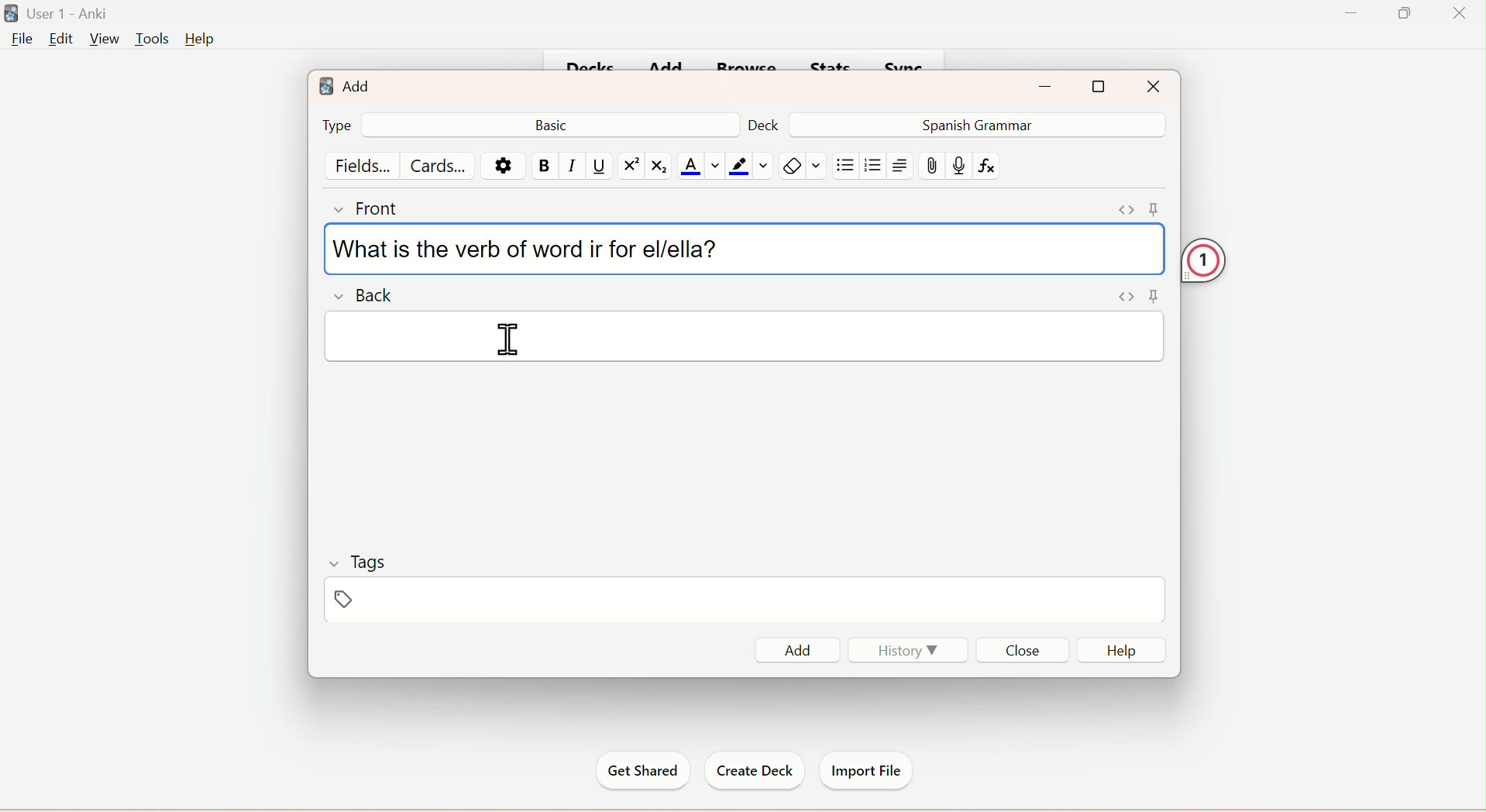 This screenshot has width=1486, height=812. Describe the element at coordinates (865, 769) in the screenshot. I see `Import File` at that location.